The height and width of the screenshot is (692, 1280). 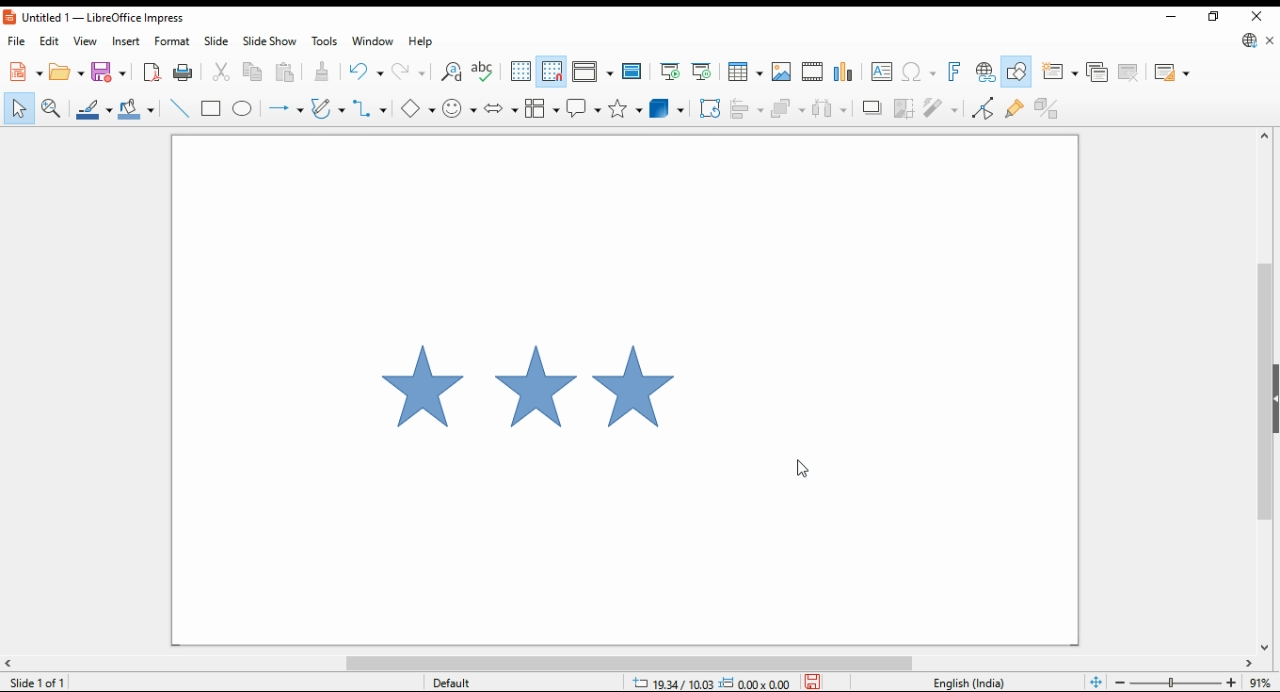 What do you see at coordinates (746, 70) in the screenshot?
I see `insert tables` at bounding box center [746, 70].